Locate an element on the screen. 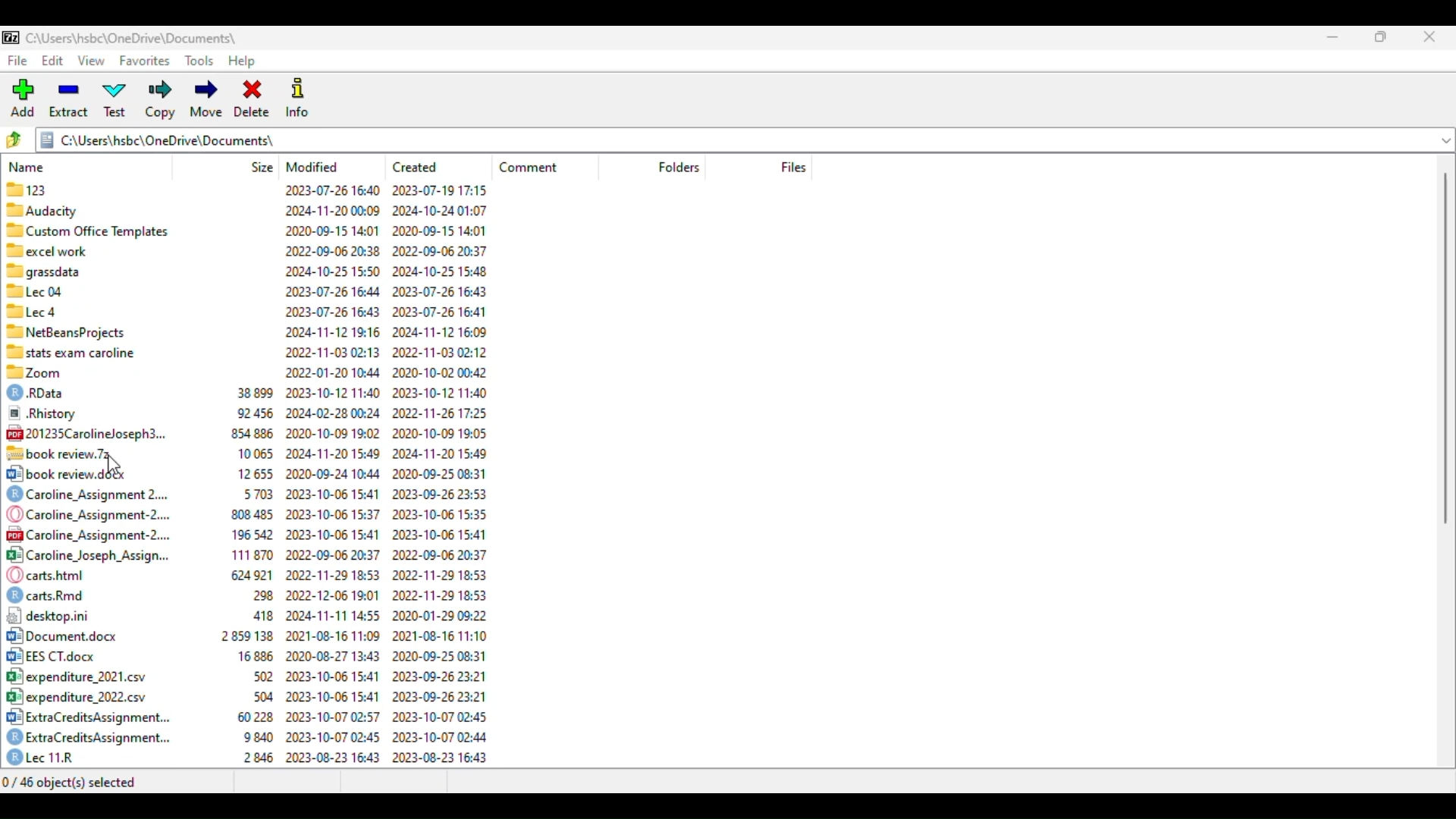 Image resolution: width=1456 pixels, height=819 pixels. add is located at coordinates (22, 96).